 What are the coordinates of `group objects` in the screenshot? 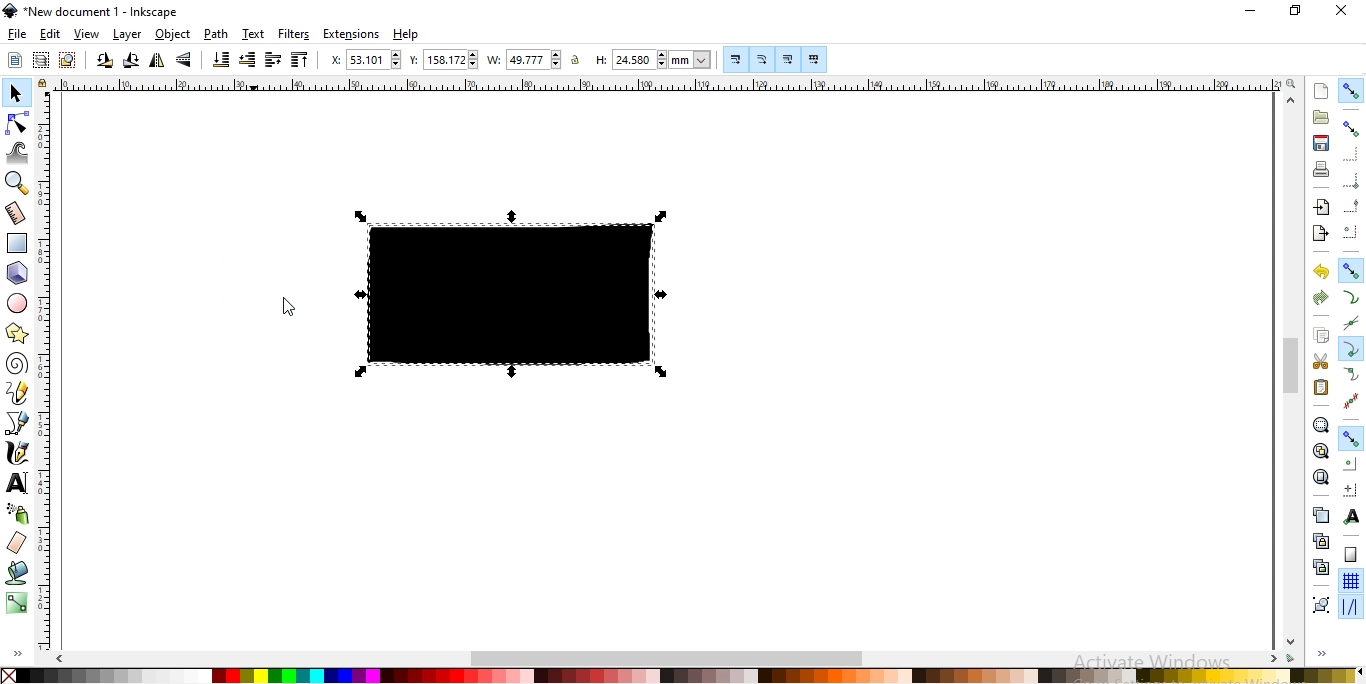 It's located at (1321, 604).